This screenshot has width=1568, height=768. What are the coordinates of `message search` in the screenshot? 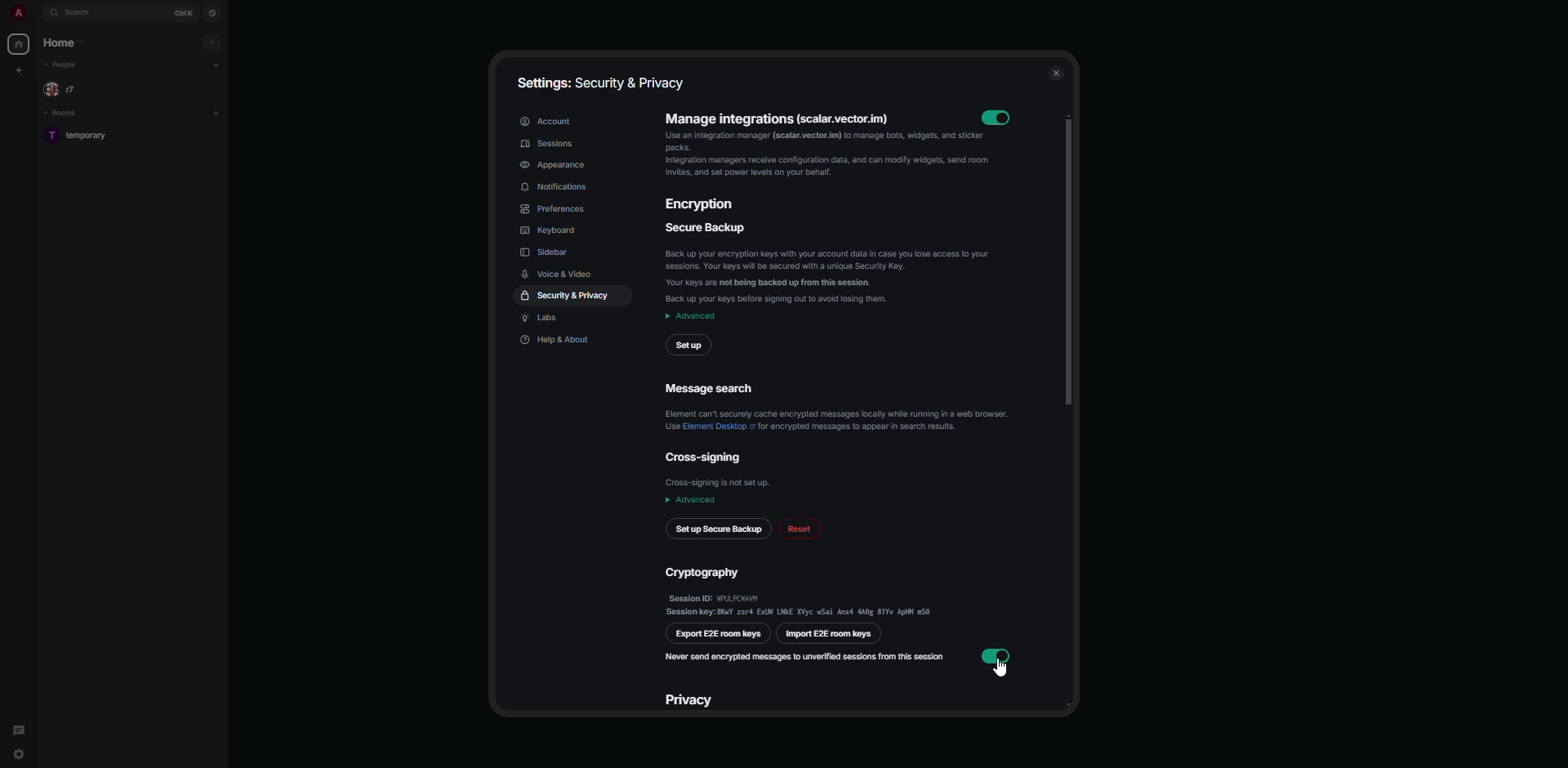 It's located at (841, 409).